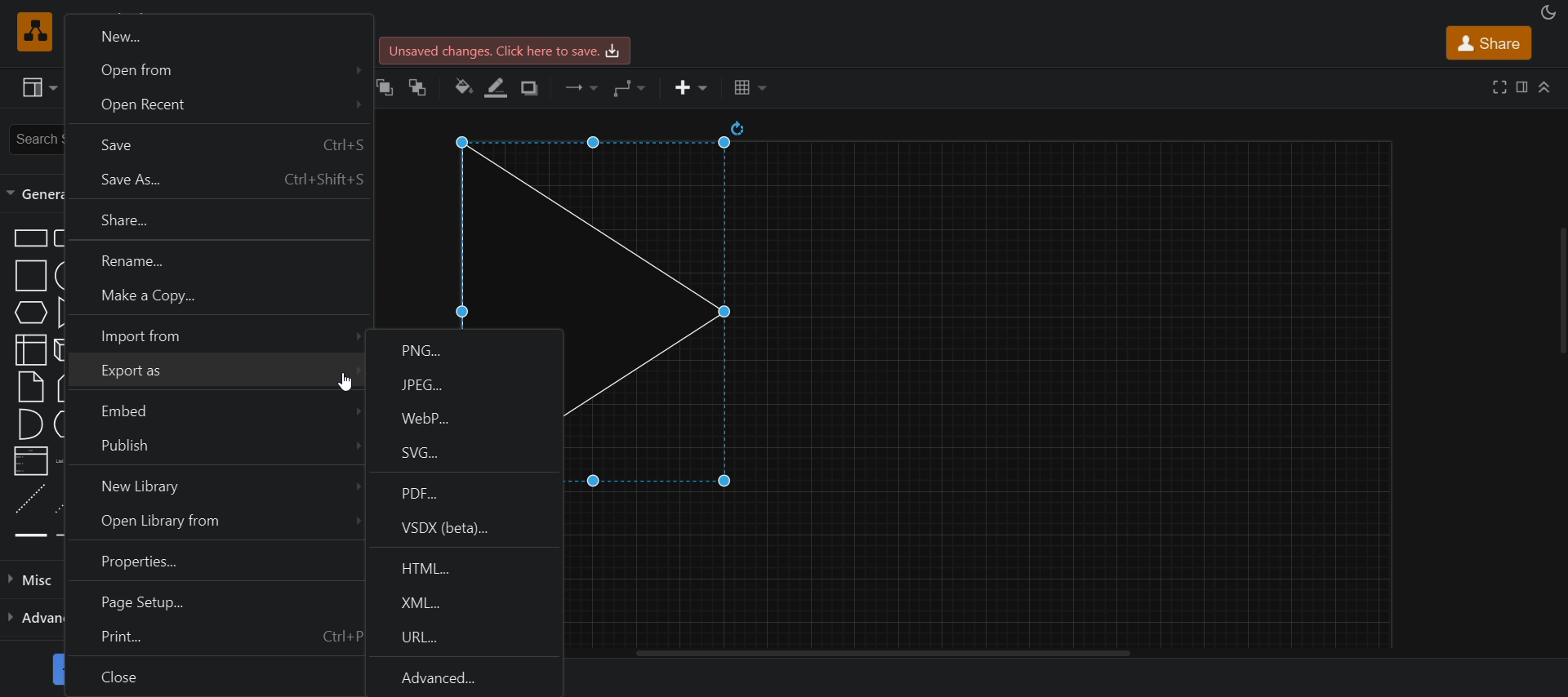 Image resolution: width=1568 pixels, height=697 pixels. What do you see at coordinates (213, 523) in the screenshot?
I see `open library rom` at bounding box center [213, 523].